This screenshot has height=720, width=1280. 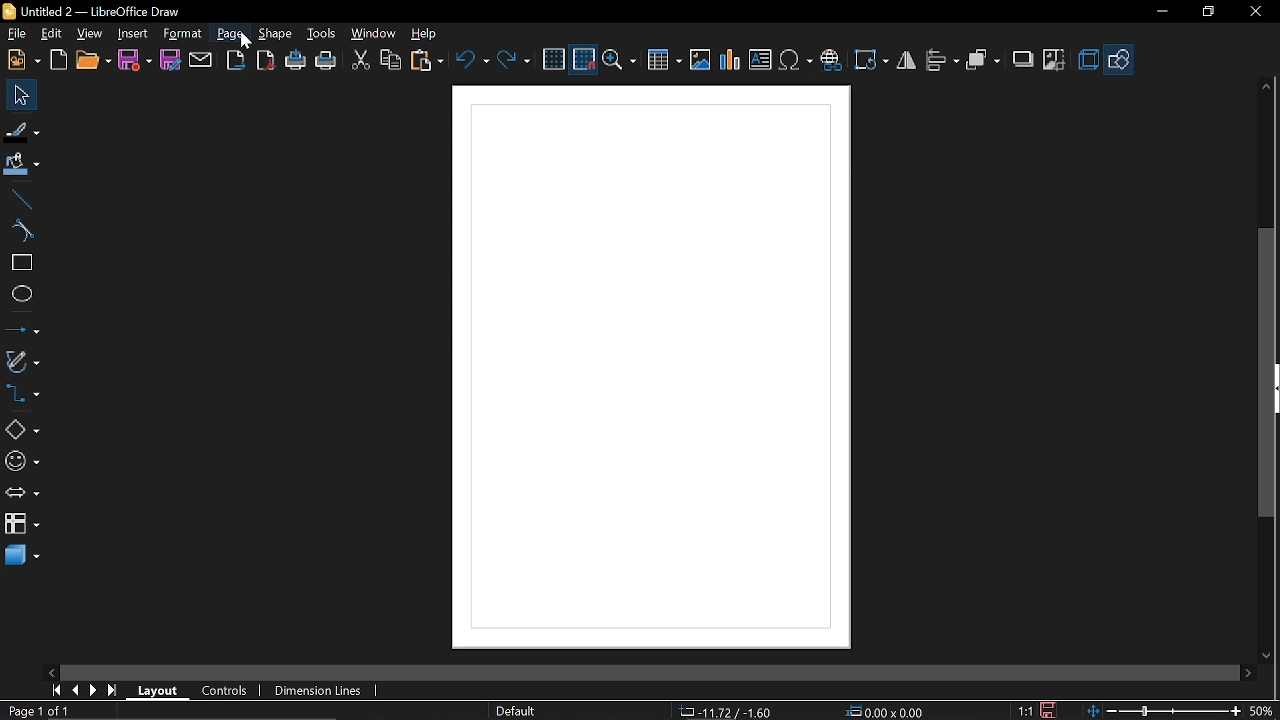 What do you see at coordinates (19, 231) in the screenshot?
I see `Curve` at bounding box center [19, 231].